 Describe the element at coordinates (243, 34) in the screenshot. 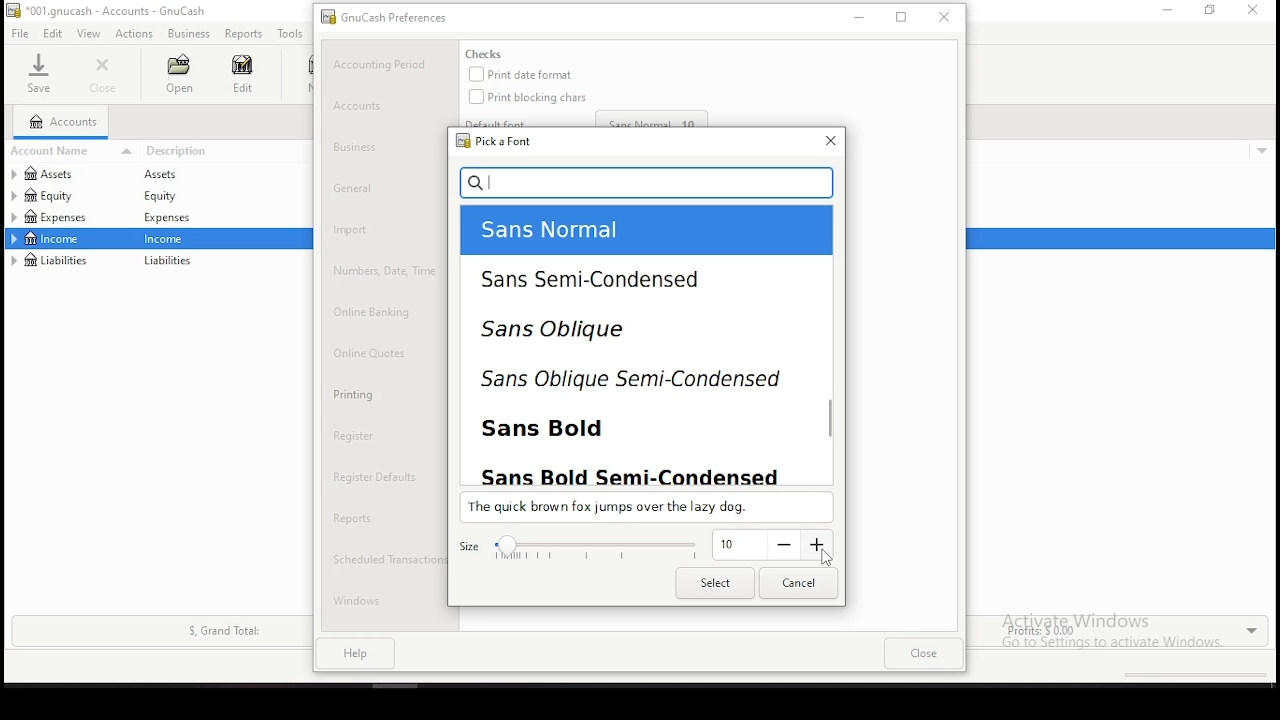

I see `reports` at that location.